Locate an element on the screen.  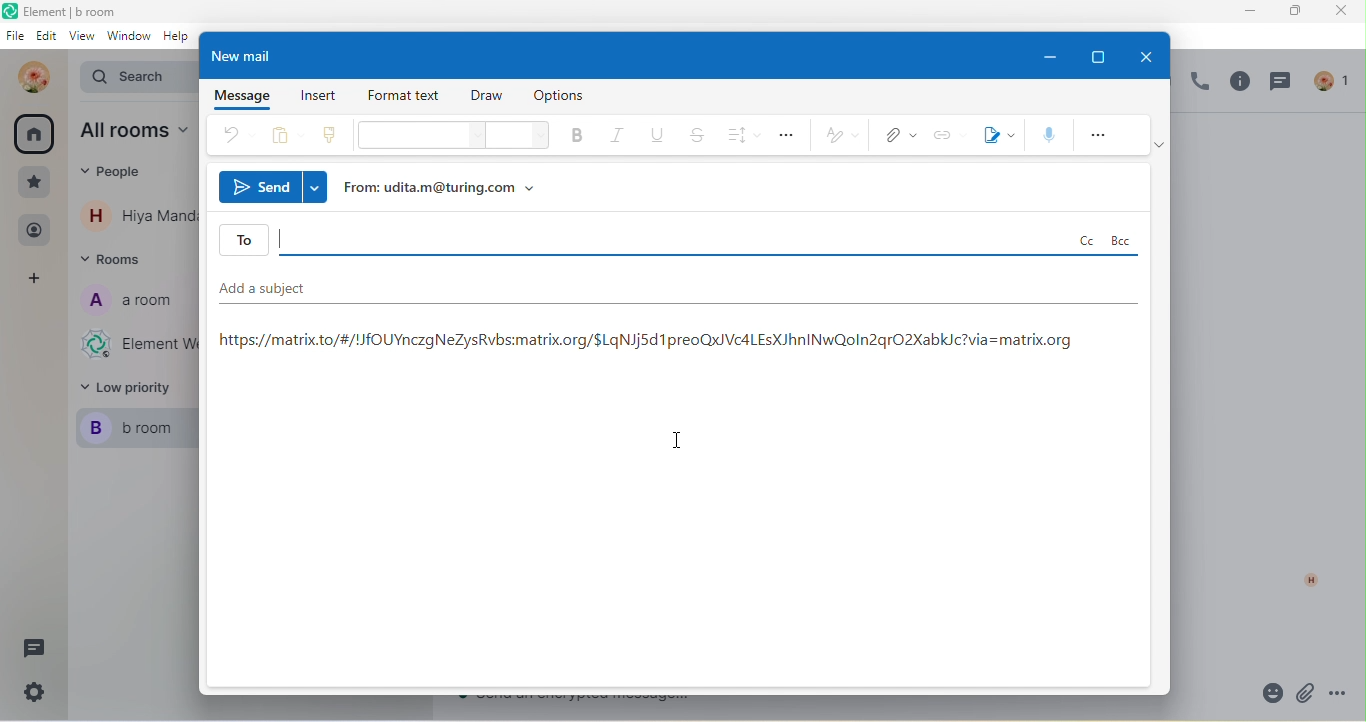
close is located at coordinates (1144, 55).